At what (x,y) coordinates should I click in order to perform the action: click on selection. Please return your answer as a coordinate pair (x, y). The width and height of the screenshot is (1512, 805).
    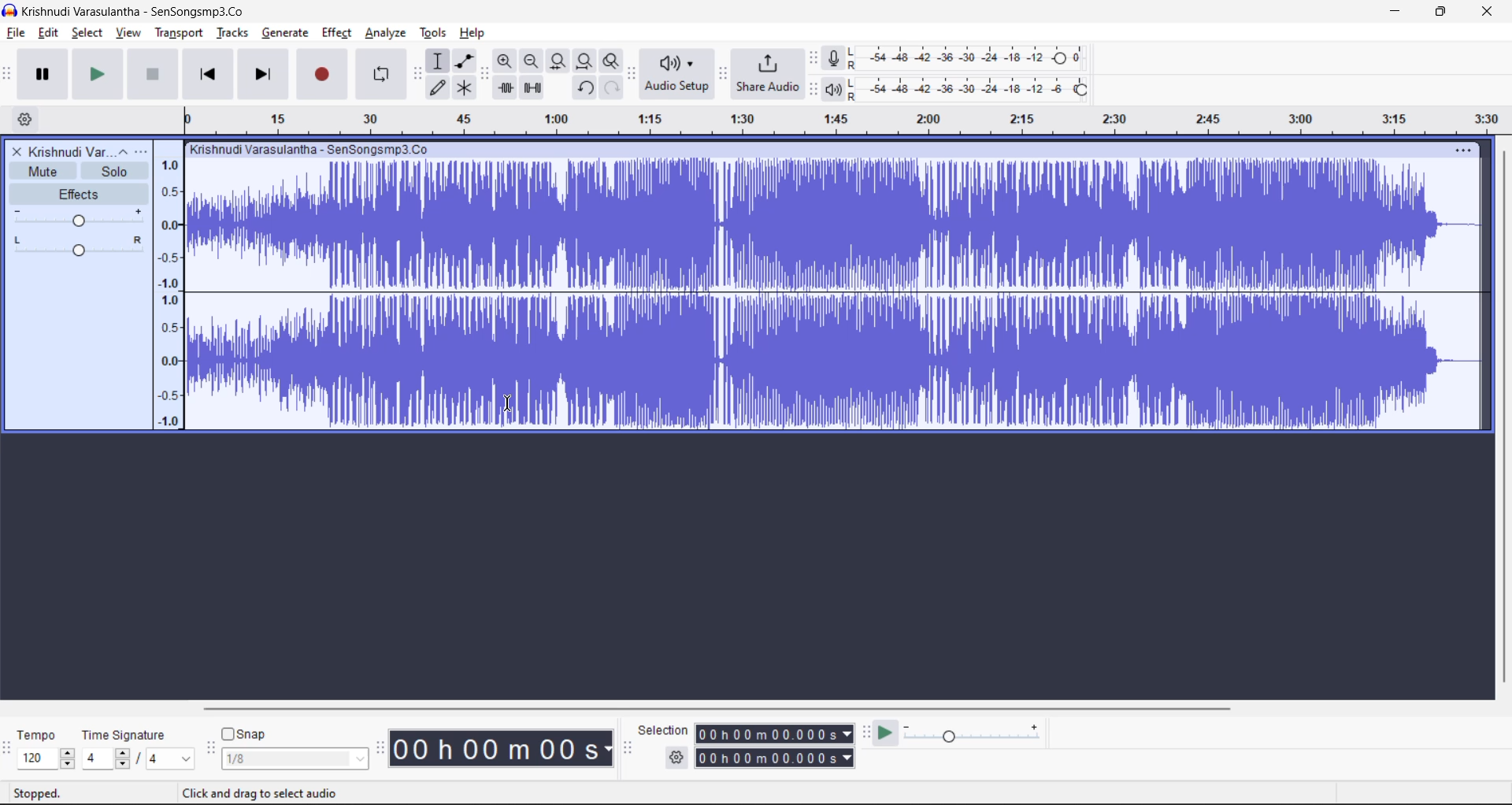
    Looking at the image, I should click on (664, 730).